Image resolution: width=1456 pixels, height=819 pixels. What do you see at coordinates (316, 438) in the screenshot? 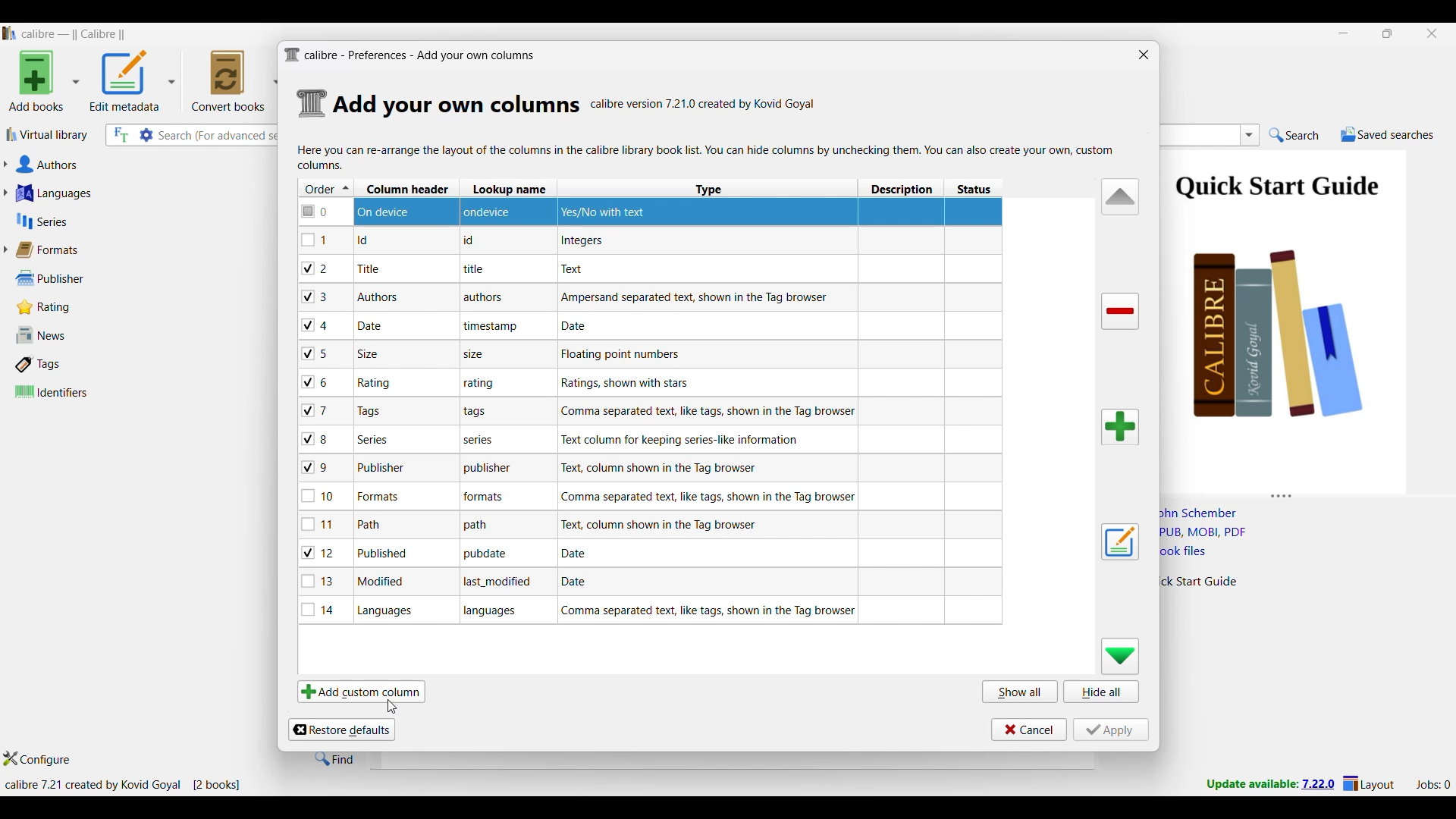
I see `checkbox - 8` at bounding box center [316, 438].